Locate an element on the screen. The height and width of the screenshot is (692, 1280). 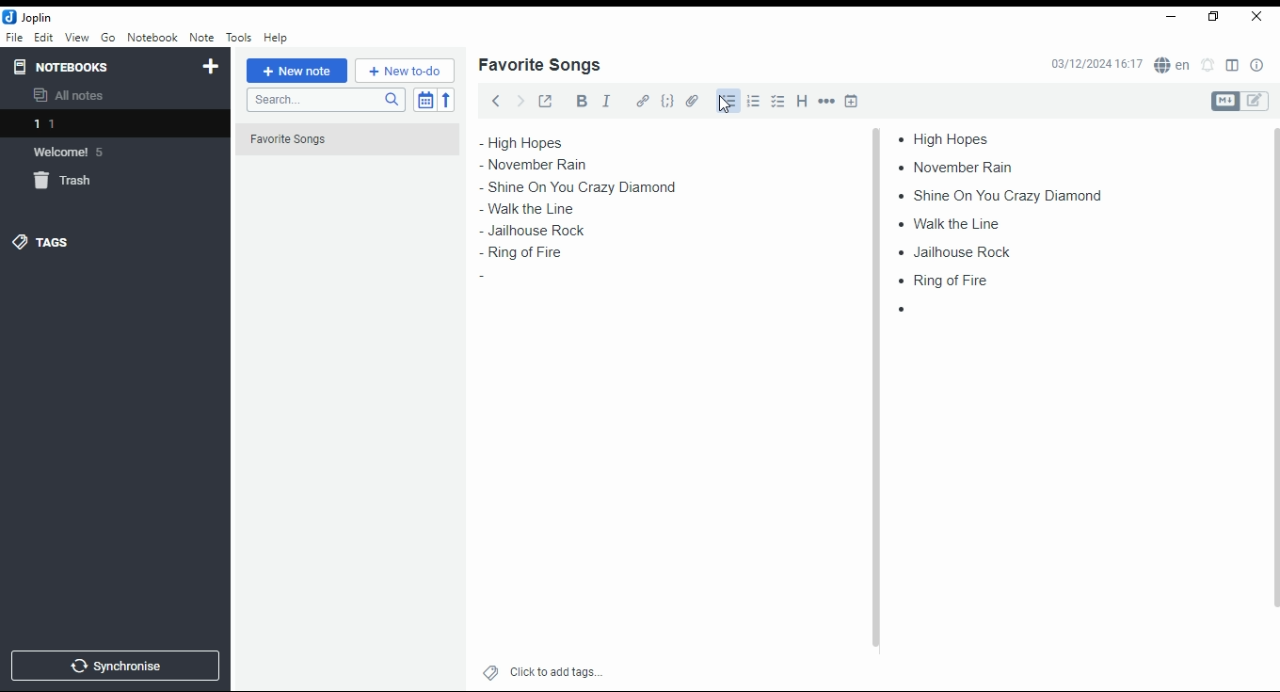
reverse sort order is located at coordinates (446, 100).